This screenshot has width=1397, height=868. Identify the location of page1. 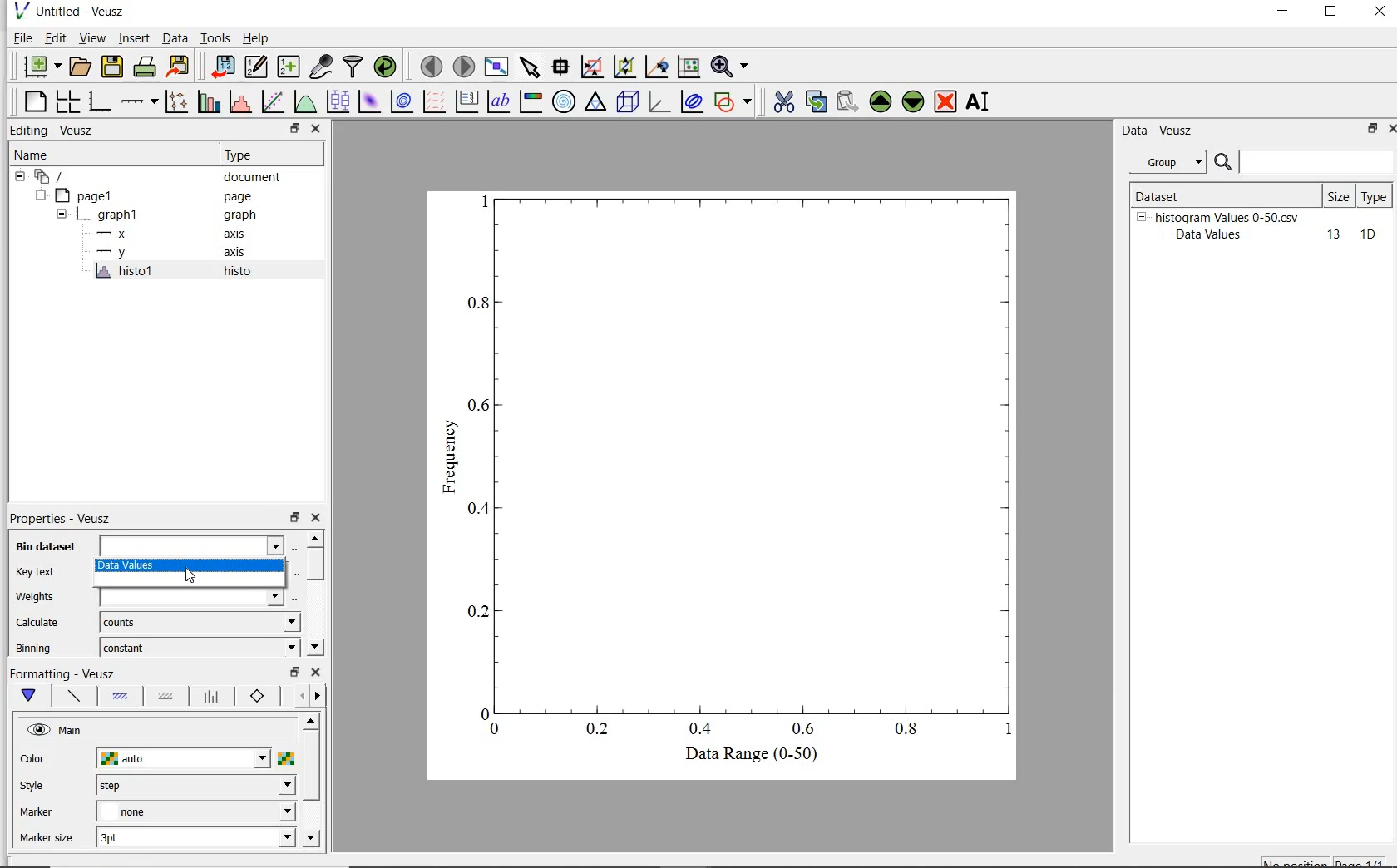
(87, 197).